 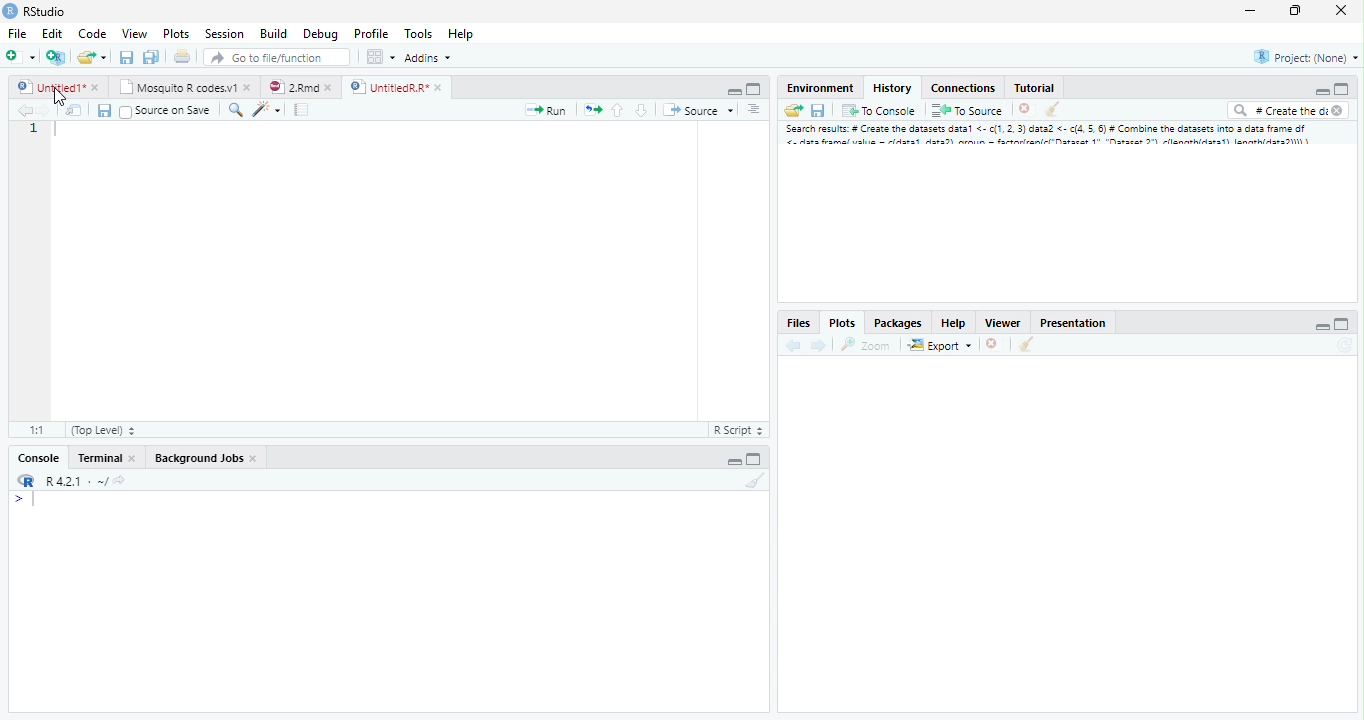 What do you see at coordinates (641, 111) in the screenshot?
I see `Go to the next section/chunk` at bounding box center [641, 111].